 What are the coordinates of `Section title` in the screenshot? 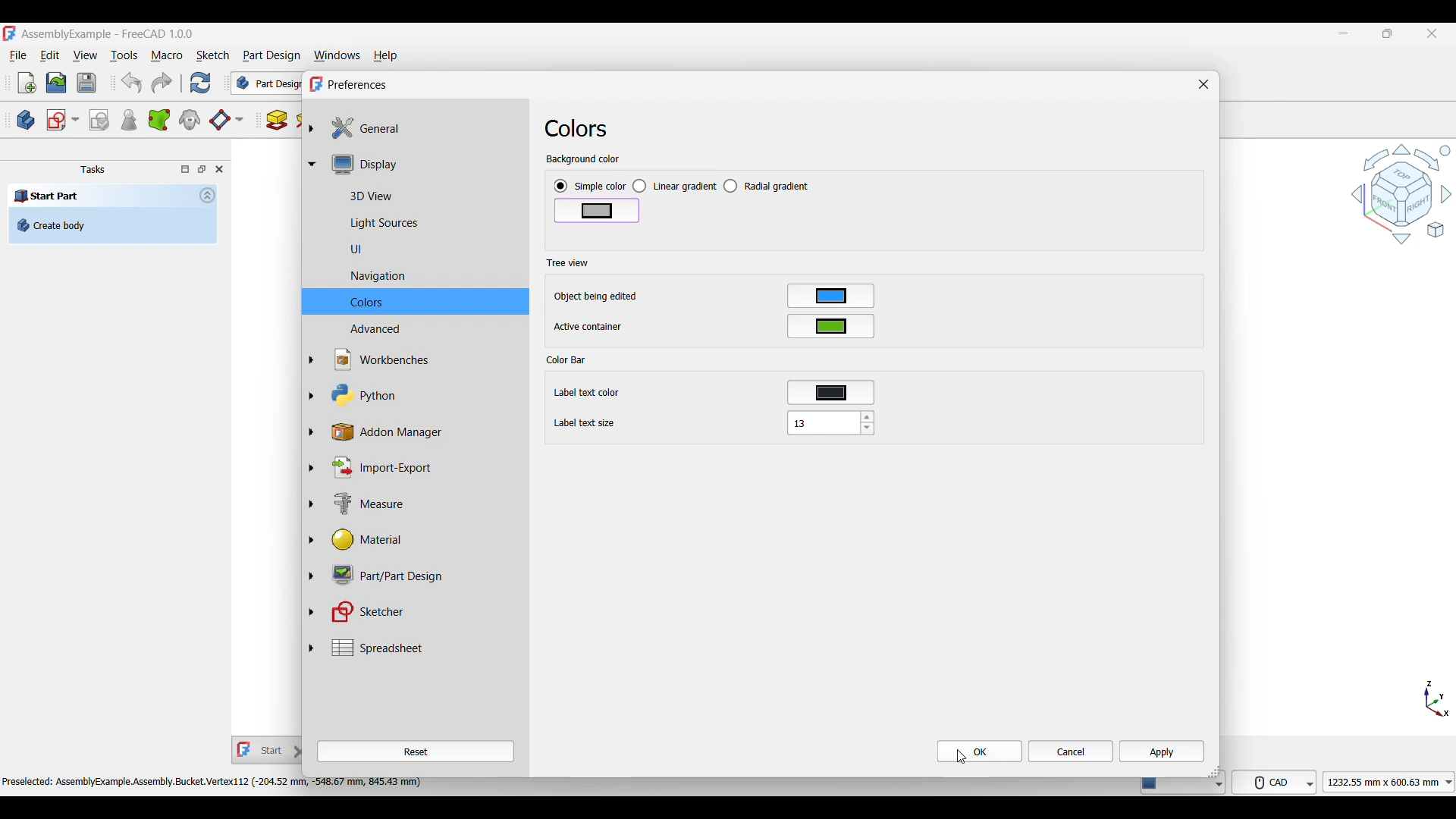 It's located at (567, 262).